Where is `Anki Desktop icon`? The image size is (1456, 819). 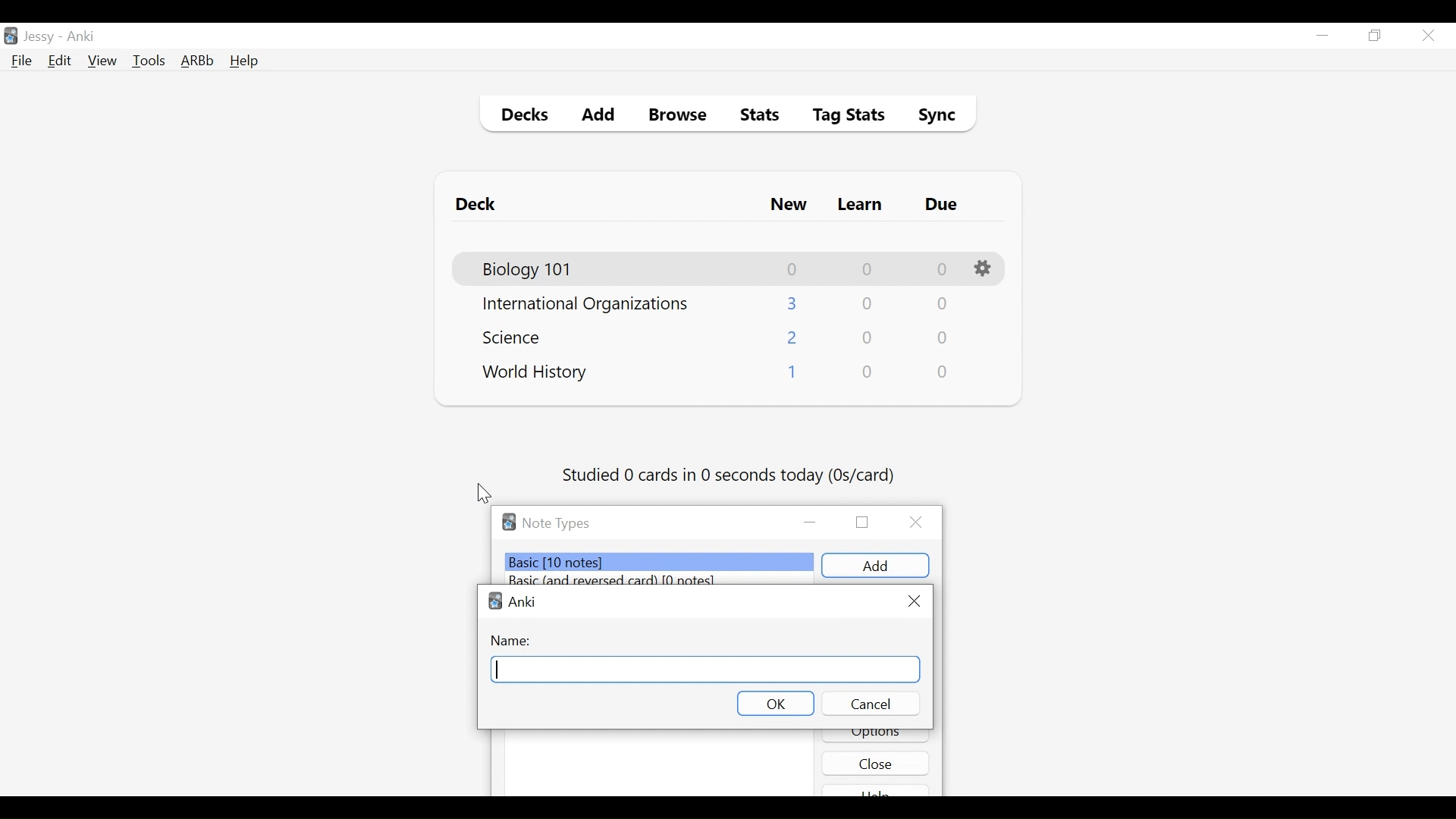
Anki Desktop icon is located at coordinates (11, 36).